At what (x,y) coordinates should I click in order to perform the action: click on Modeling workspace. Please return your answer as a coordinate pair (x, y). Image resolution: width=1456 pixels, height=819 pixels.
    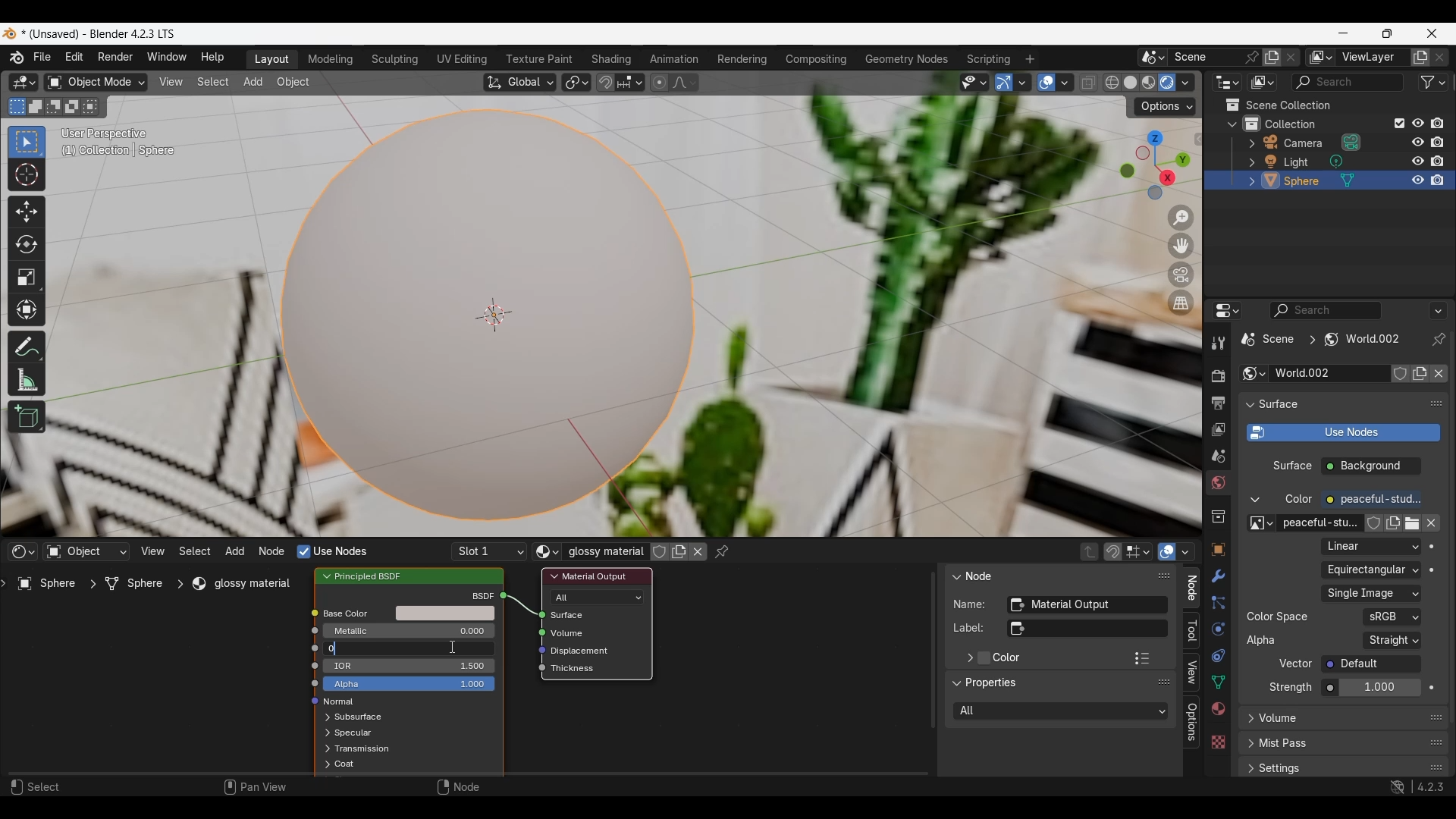
    Looking at the image, I should click on (331, 59).